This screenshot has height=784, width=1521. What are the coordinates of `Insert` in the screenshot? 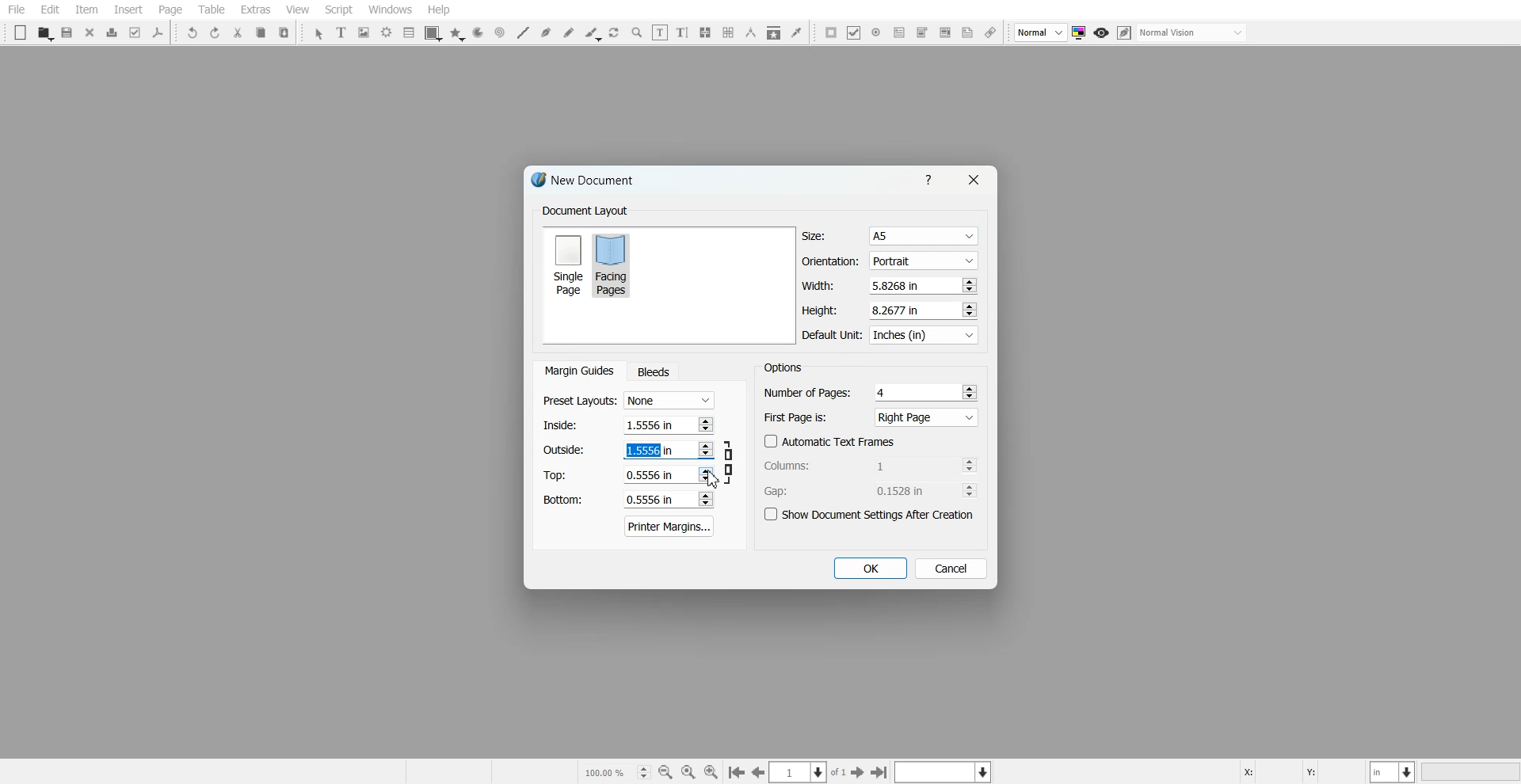 It's located at (128, 10).